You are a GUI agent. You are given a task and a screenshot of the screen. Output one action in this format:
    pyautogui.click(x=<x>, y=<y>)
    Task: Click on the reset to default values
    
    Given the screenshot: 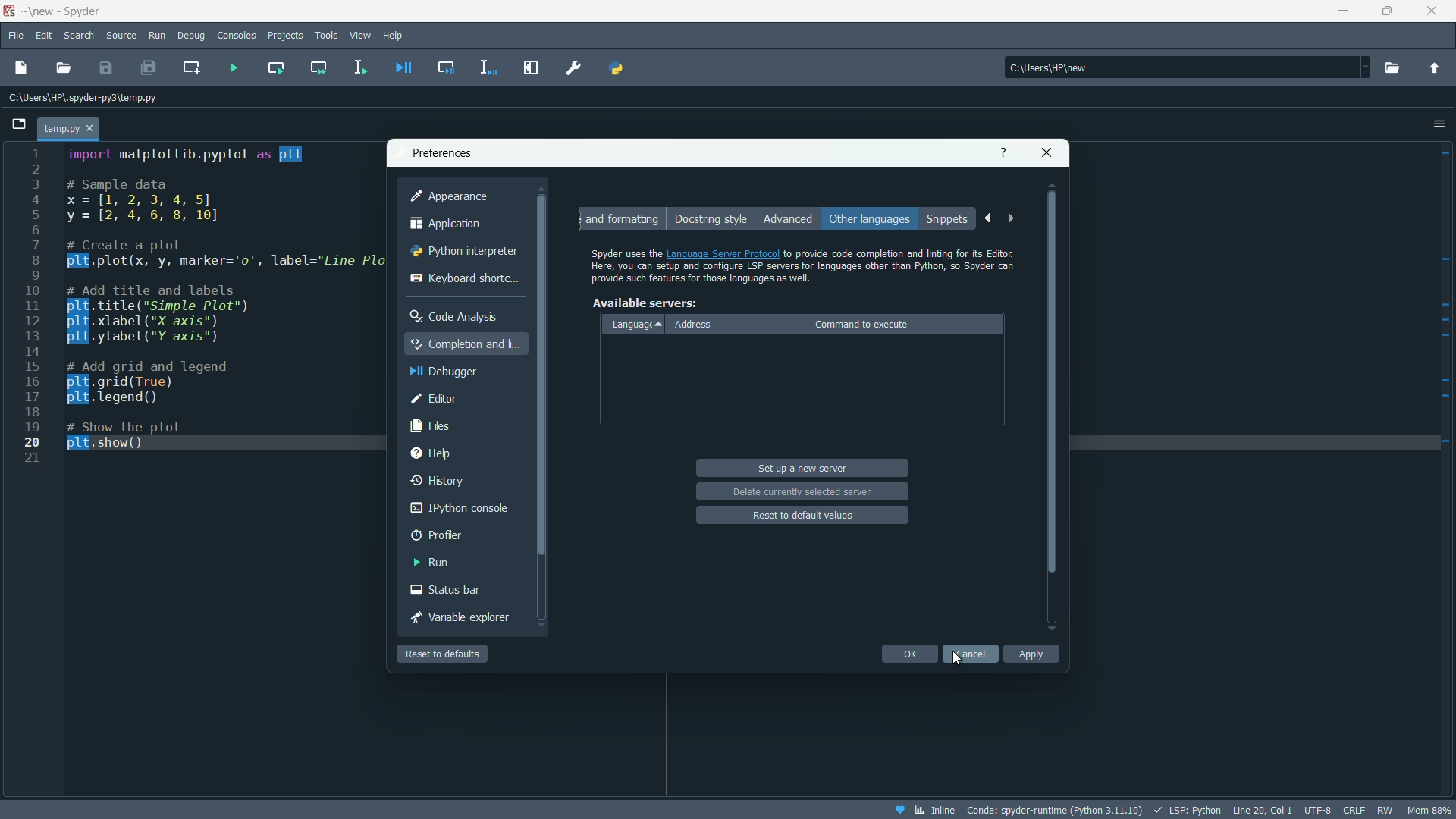 What is the action you would take?
    pyautogui.click(x=804, y=515)
    